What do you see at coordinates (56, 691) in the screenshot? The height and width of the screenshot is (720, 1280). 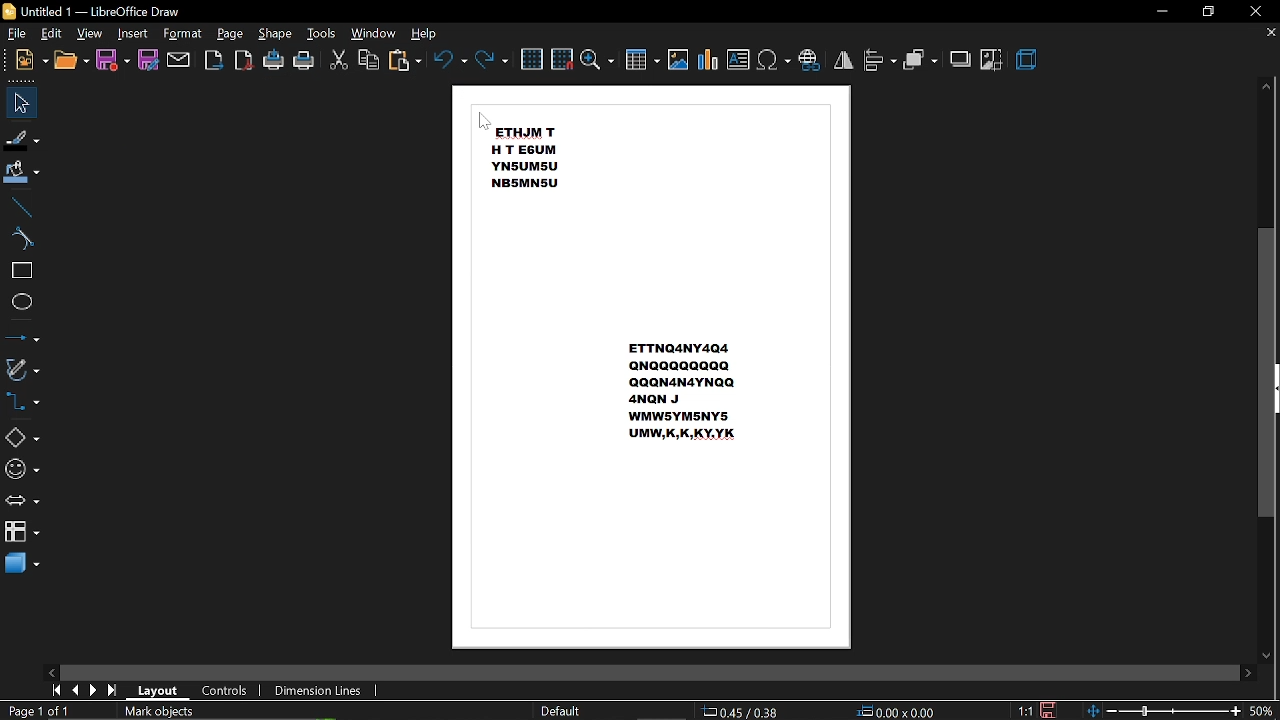 I see `go to first page` at bounding box center [56, 691].